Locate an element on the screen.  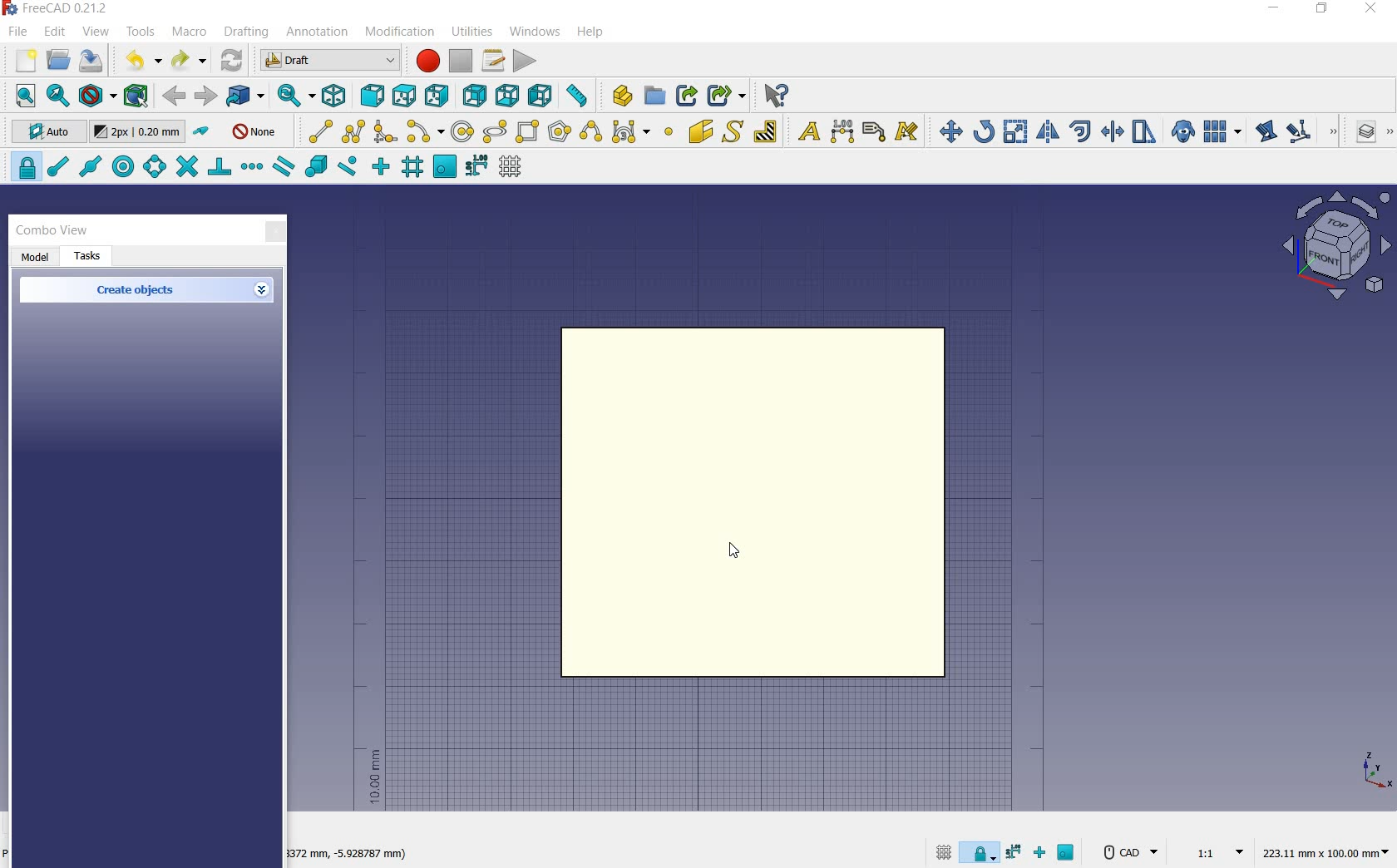
create part is located at coordinates (619, 95).